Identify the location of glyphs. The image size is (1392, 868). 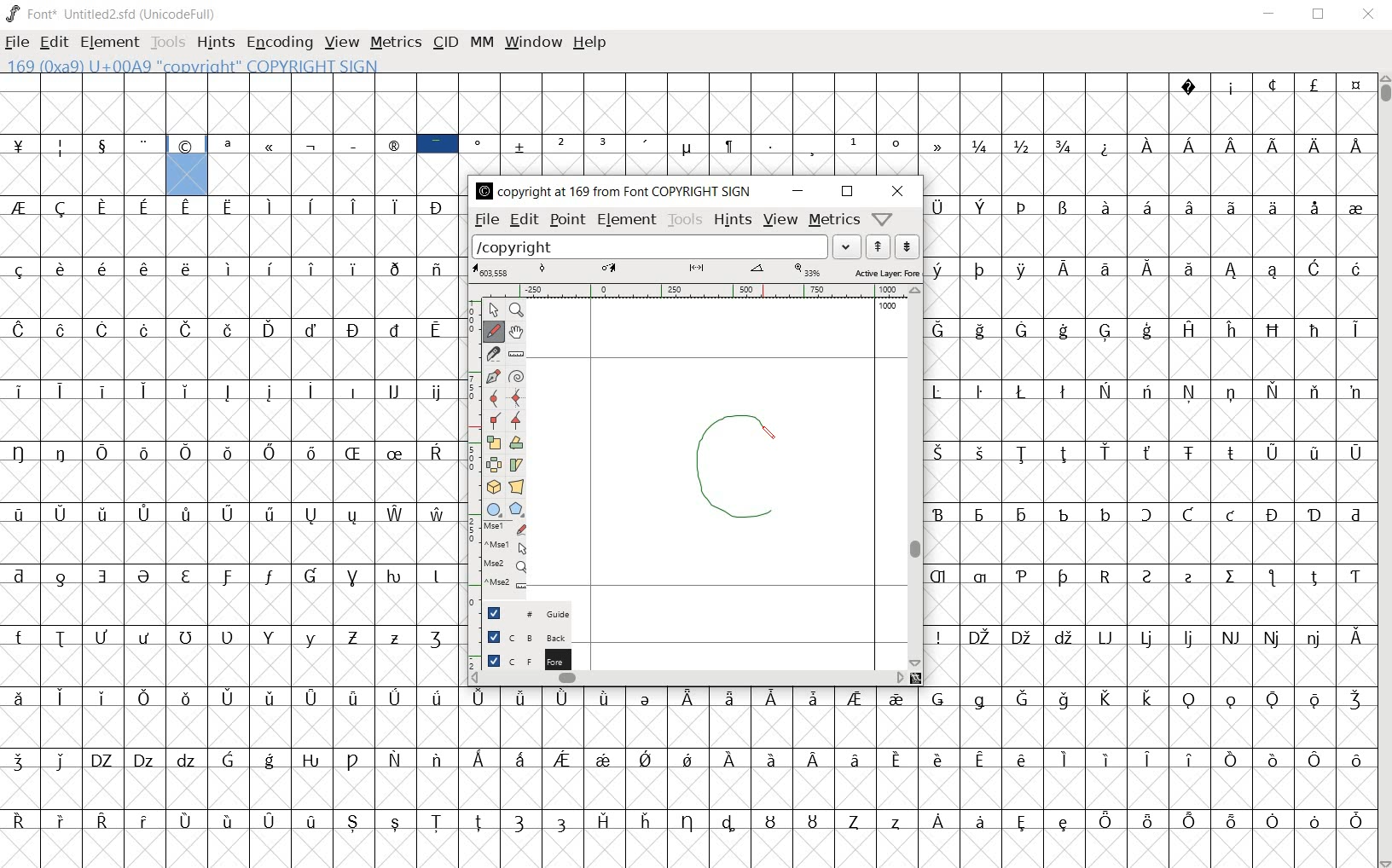
(228, 493).